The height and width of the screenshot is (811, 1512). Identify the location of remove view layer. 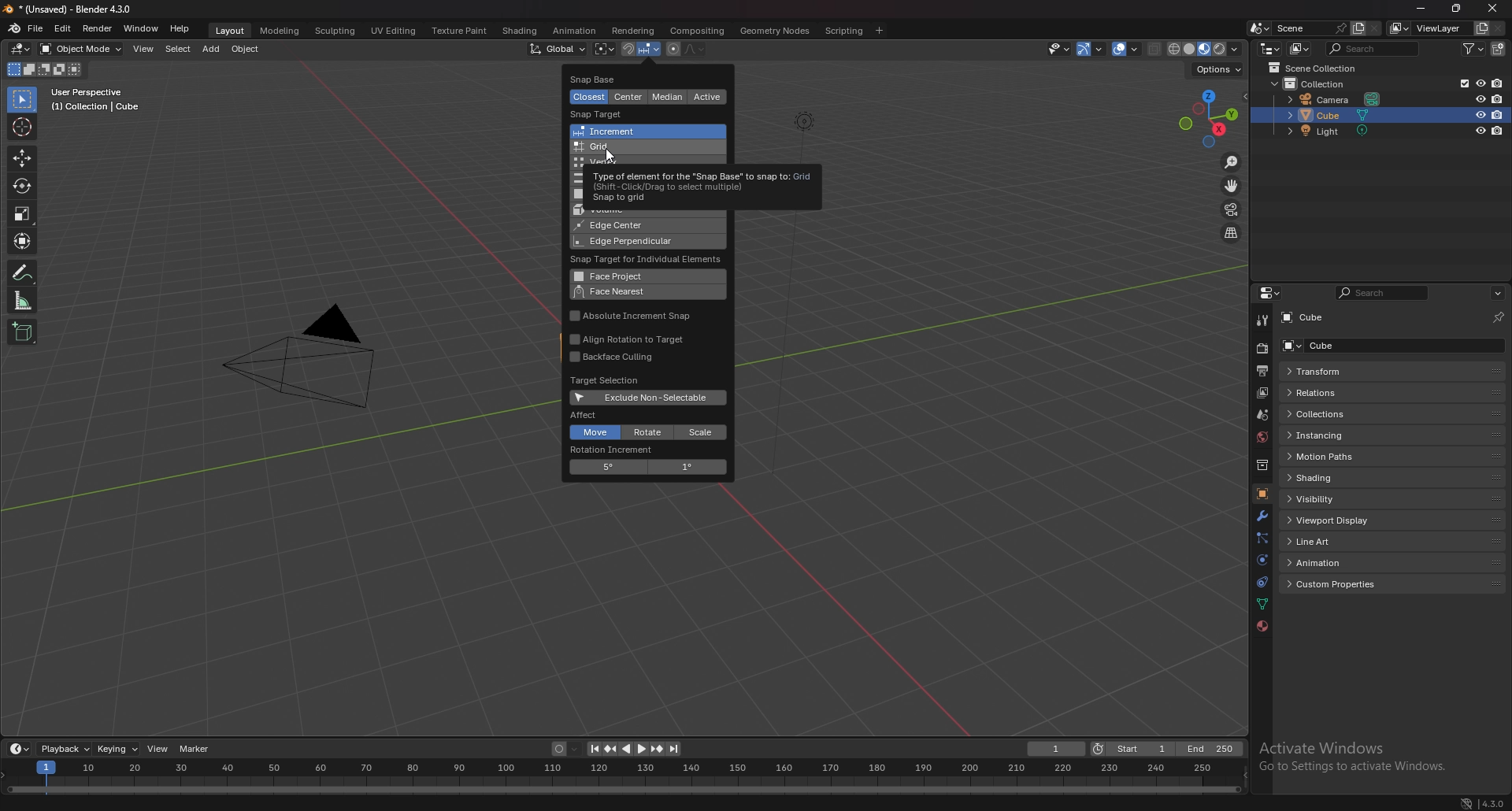
(1499, 28).